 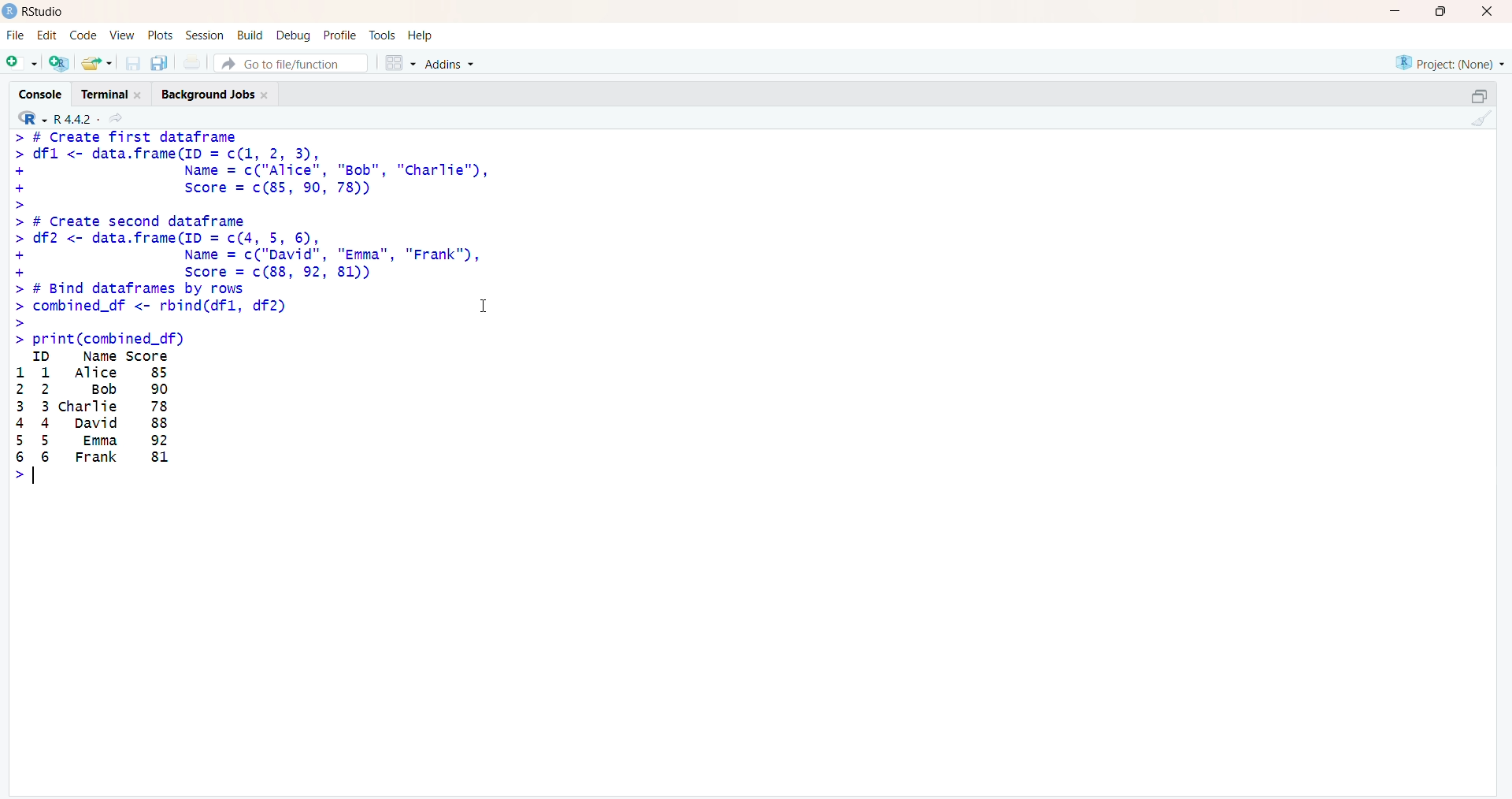 What do you see at coordinates (291, 64) in the screenshot?
I see ` Go to file/function` at bounding box center [291, 64].